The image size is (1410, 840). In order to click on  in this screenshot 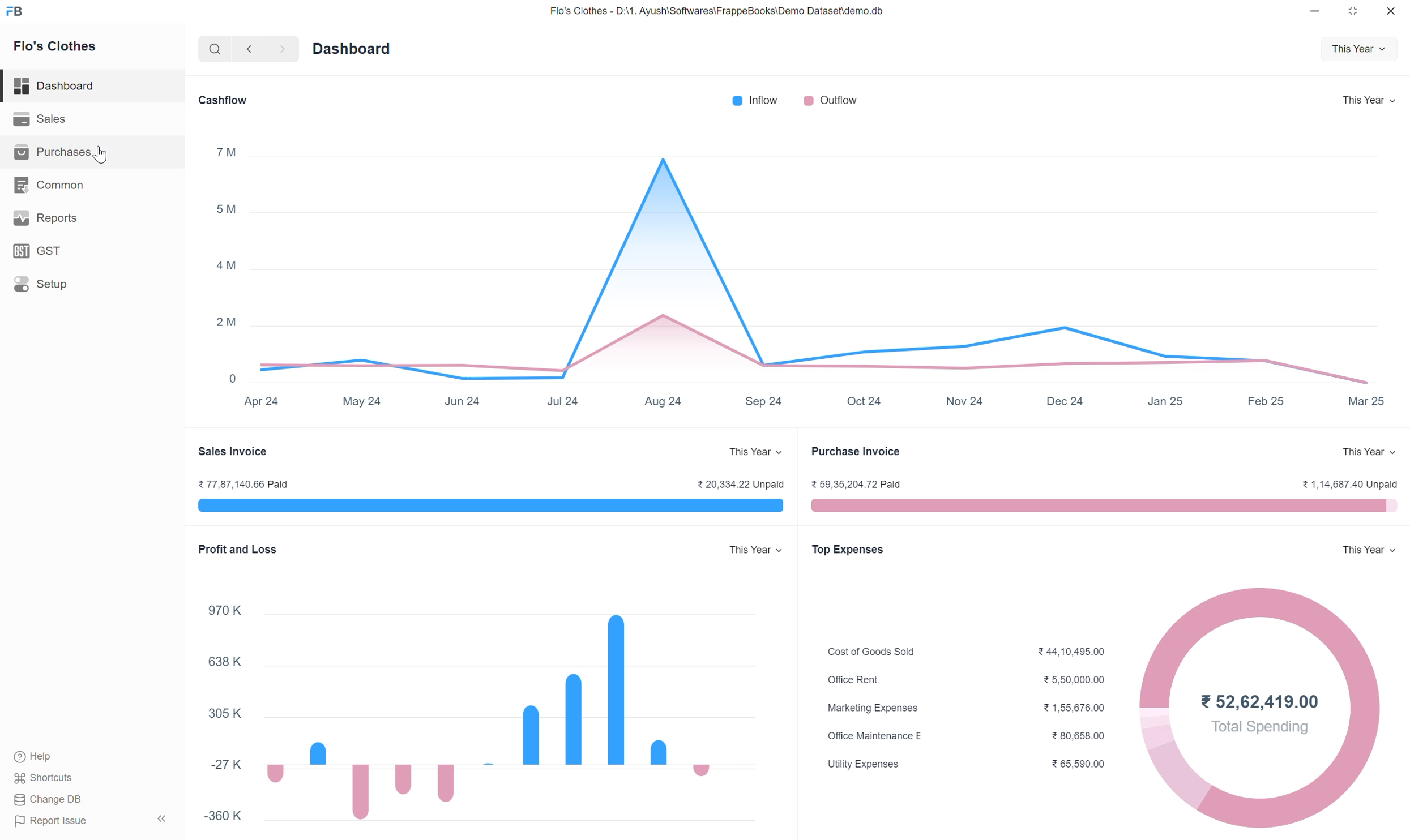, I will do `click(225, 714)`.